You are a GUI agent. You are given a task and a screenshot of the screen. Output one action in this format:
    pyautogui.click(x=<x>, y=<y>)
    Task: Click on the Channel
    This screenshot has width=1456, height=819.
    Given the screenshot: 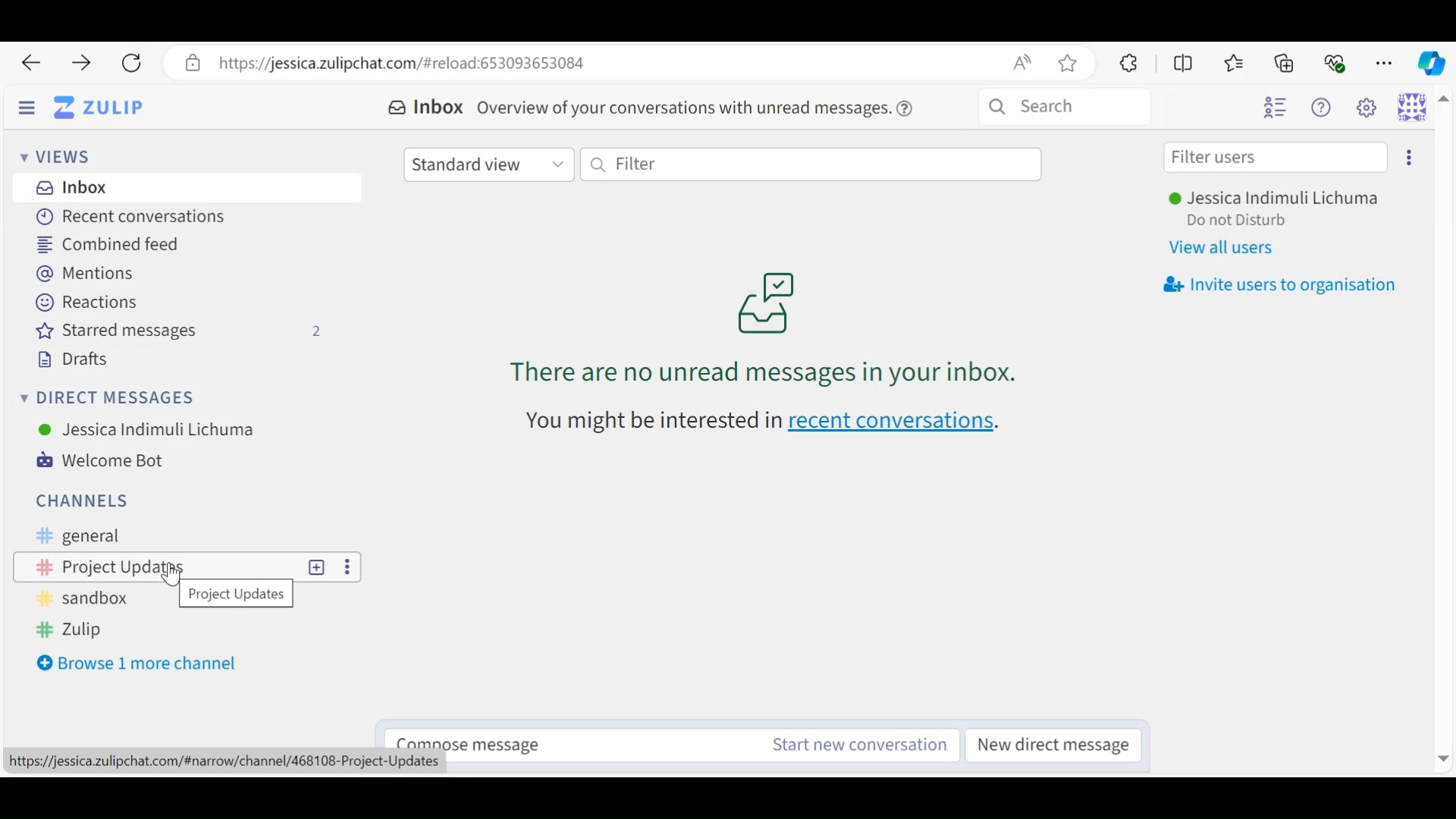 What is the action you would take?
    pyautogui.click(x=156, y=566)
    